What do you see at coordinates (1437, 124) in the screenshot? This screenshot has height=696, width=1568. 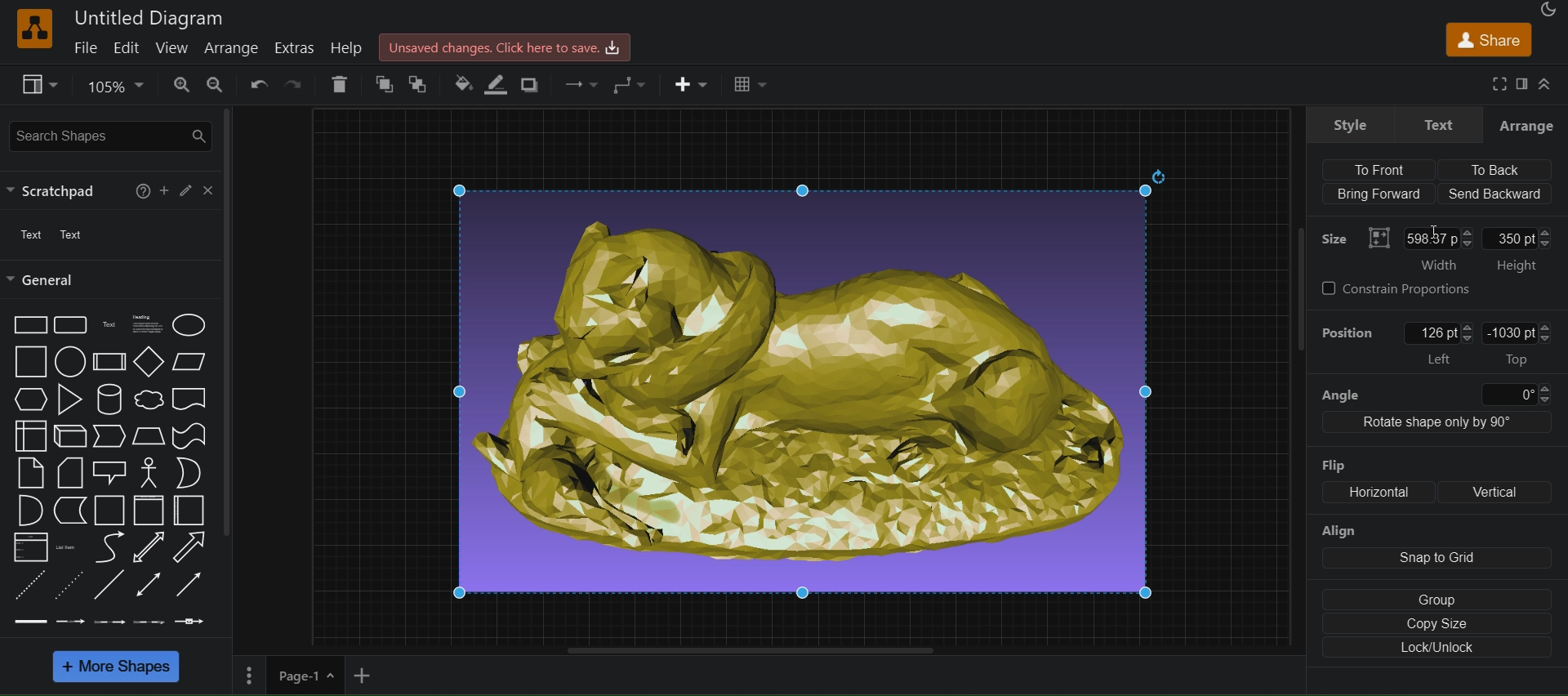 I see `text` at bounding box center [1437, 124].